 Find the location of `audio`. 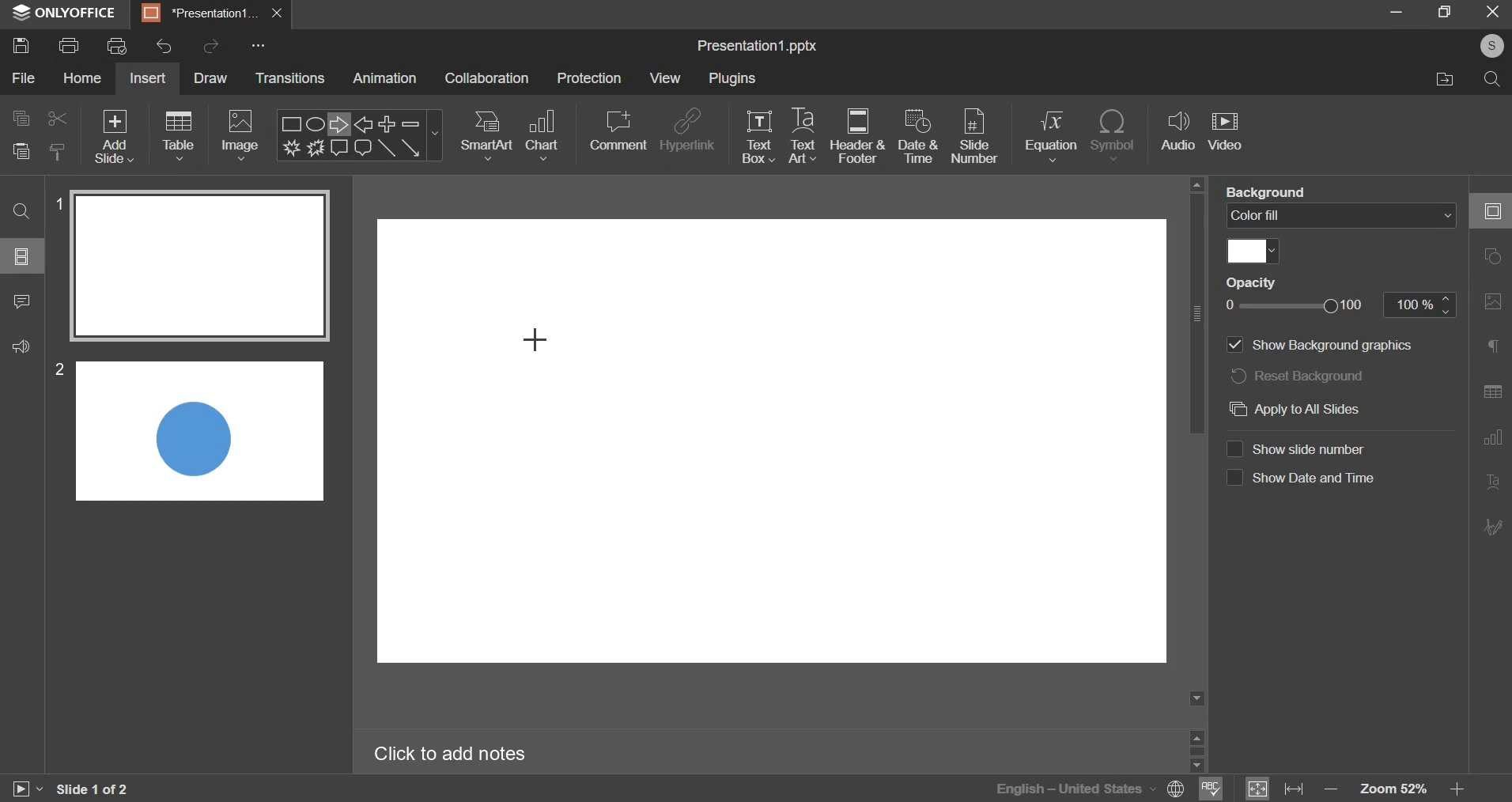

audio is located at coordinates (1180, 136).